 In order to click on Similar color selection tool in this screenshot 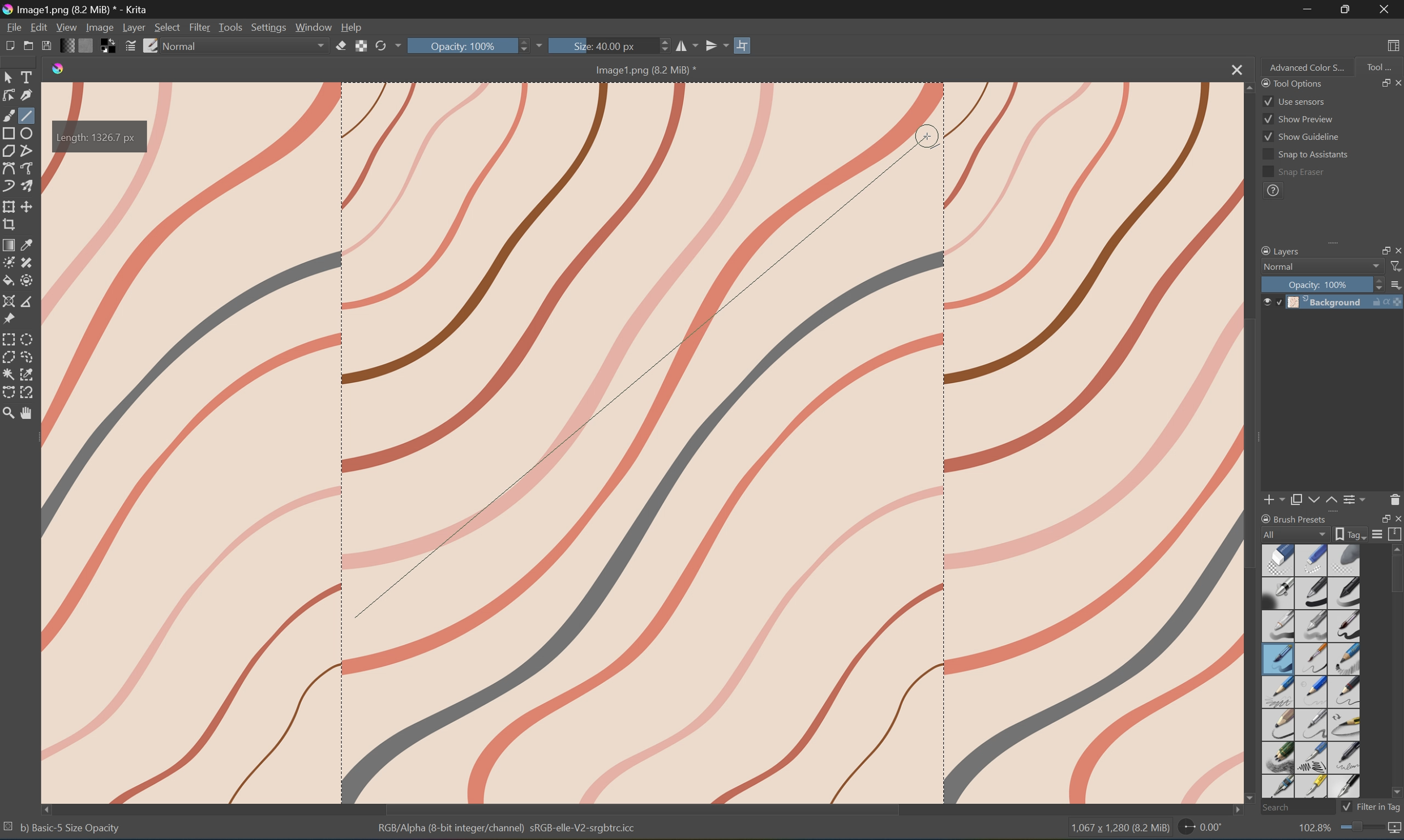, I will do `click(28, 374)`.